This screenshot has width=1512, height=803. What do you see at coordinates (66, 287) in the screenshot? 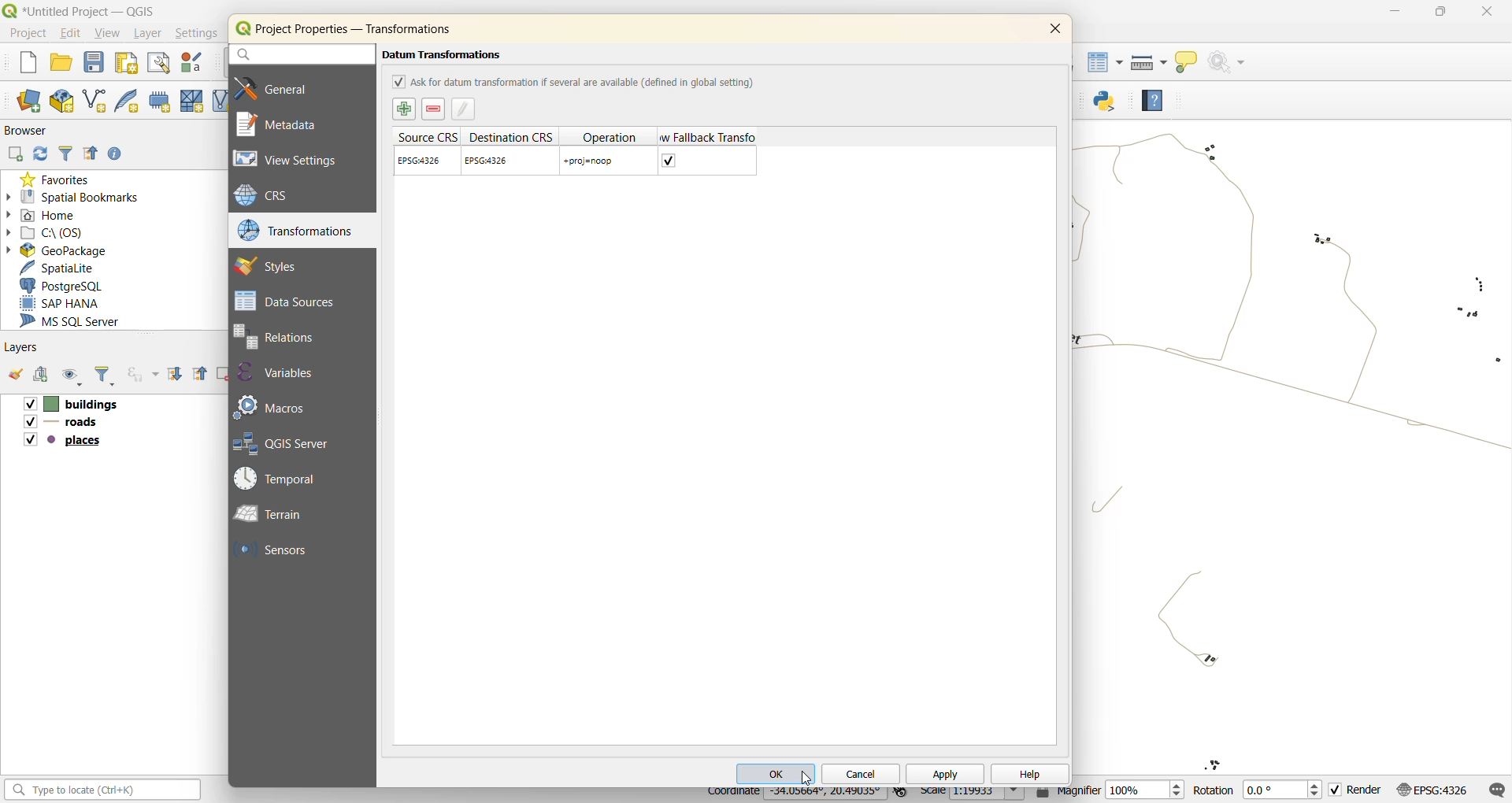
I see `postgresql` at bounding box center [66, 287].